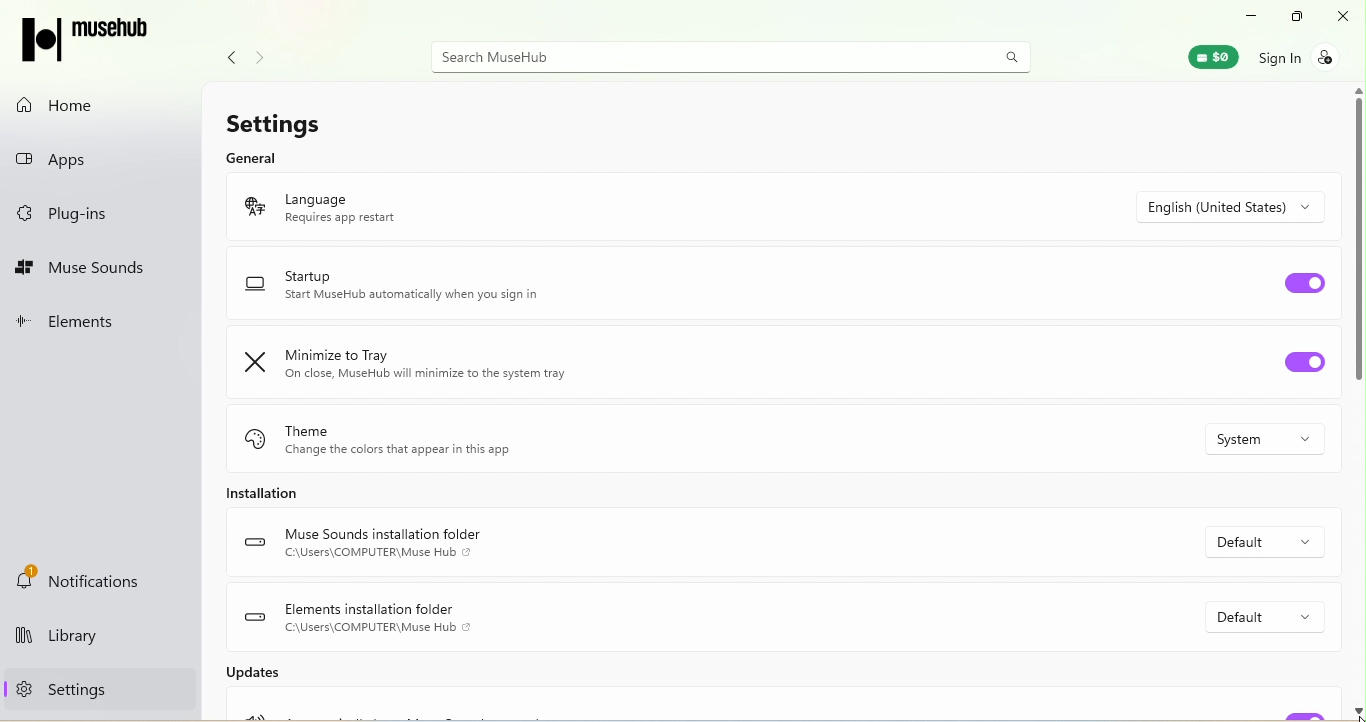  Describe the element at coordinates (308, 276) in the screenshot. I see `Startup` at that location.